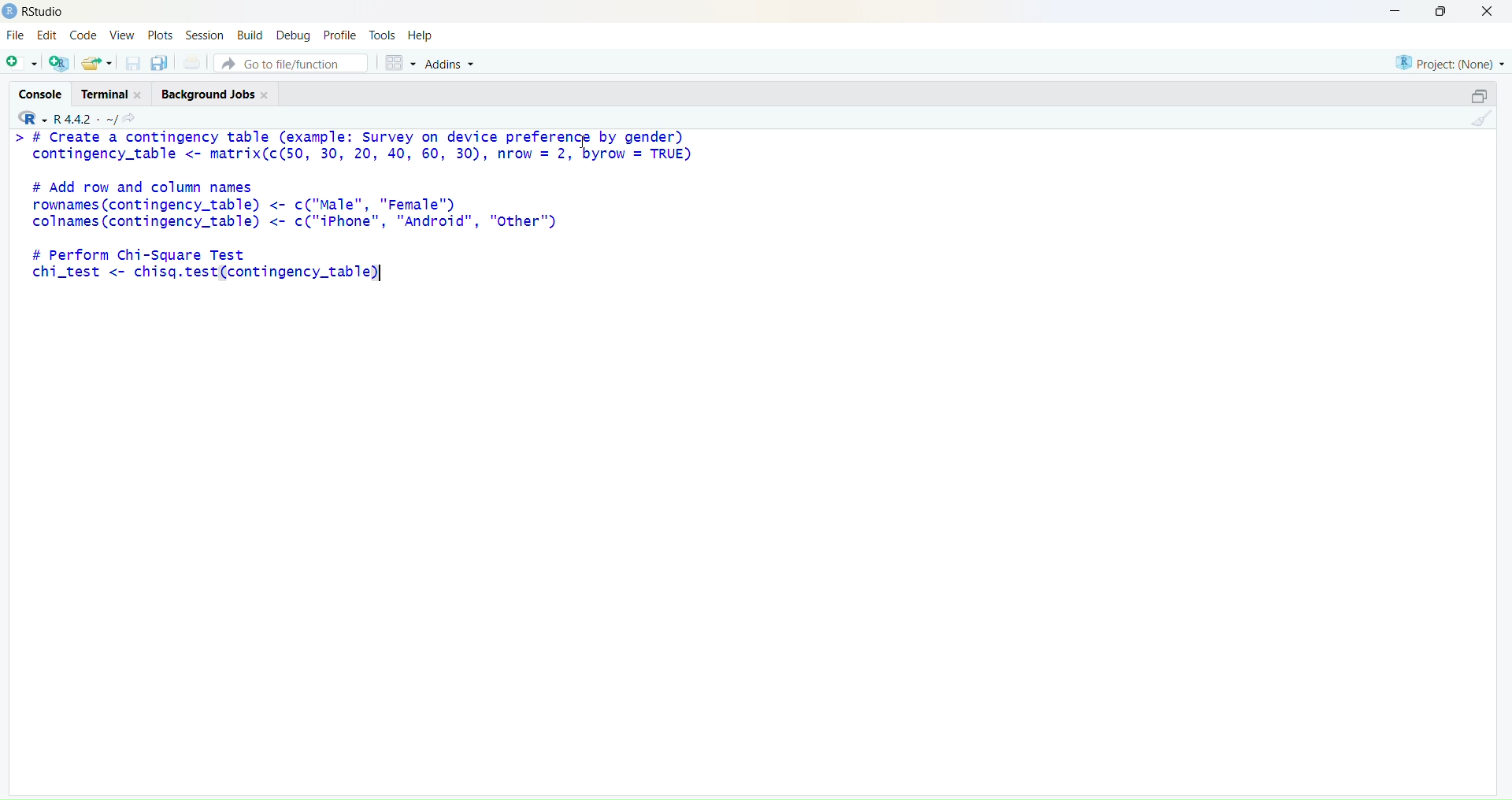 Image resolution: width=1512 pixels, height=800 pixels. Describe the element at coordinates (250, 35) in the screenshot. I see `Build` at that location.